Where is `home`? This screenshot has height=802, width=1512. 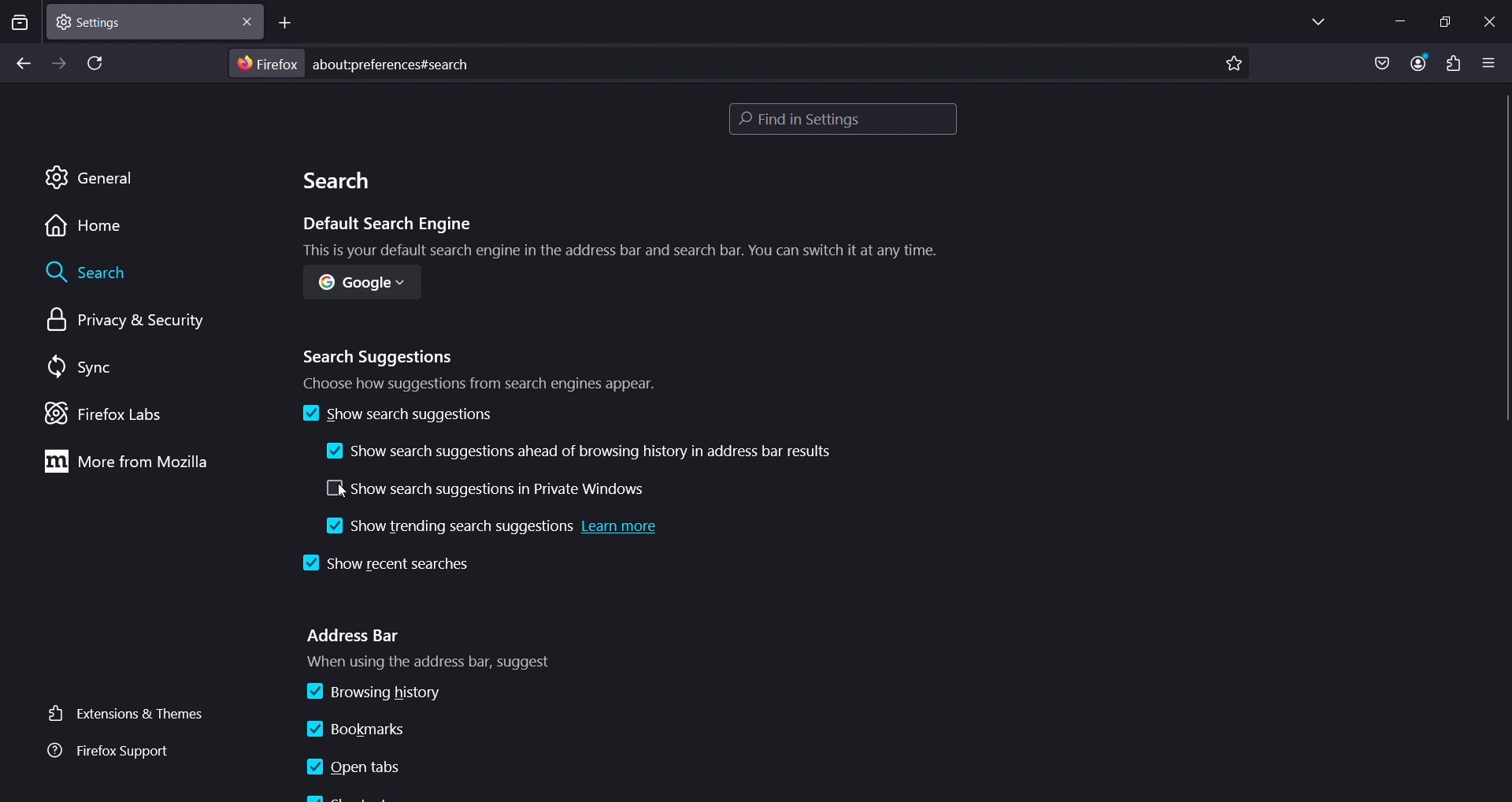 home is located at coordinates (90, 227).